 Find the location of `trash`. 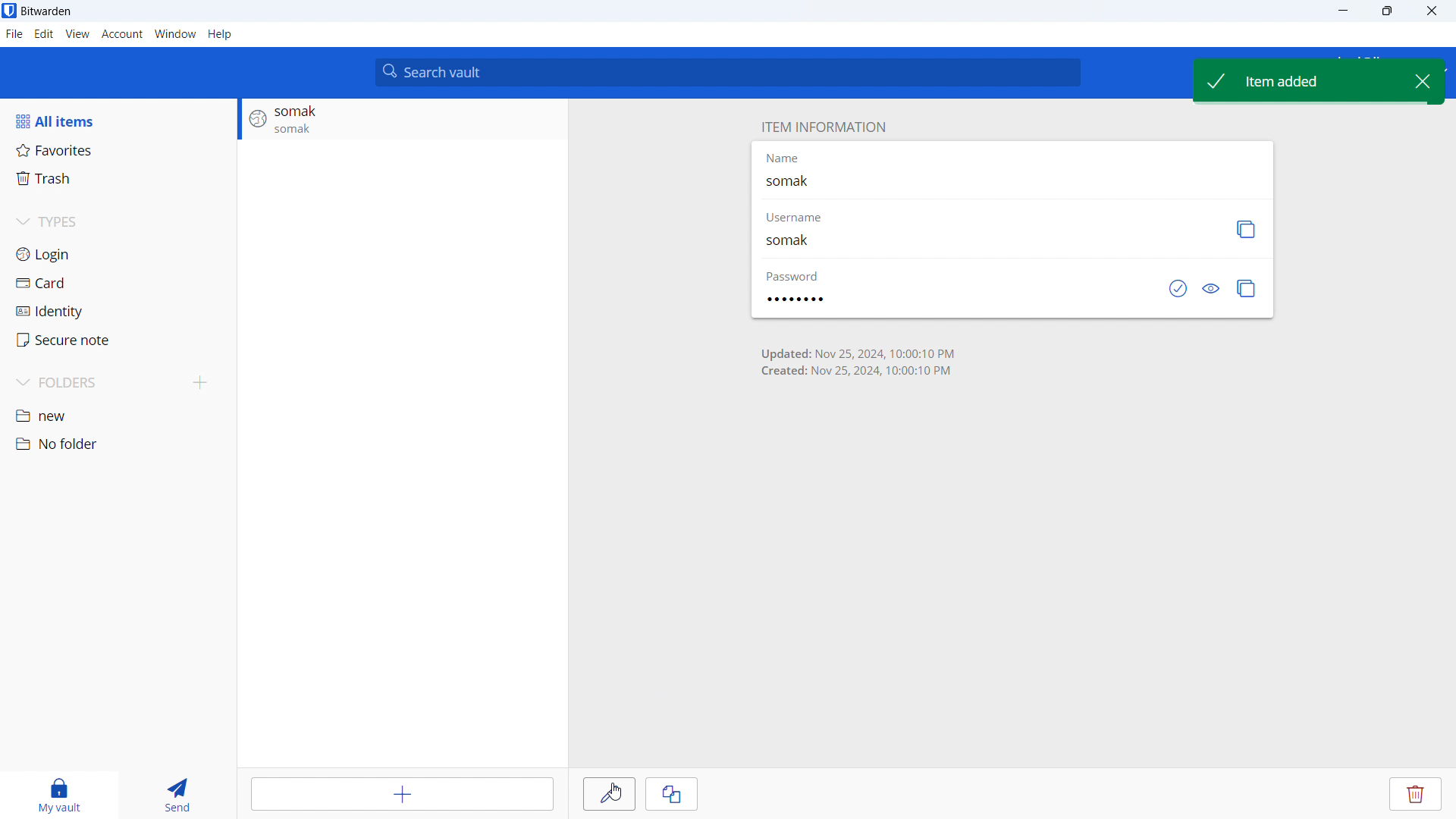

trash is located at coordinates (117, 179).